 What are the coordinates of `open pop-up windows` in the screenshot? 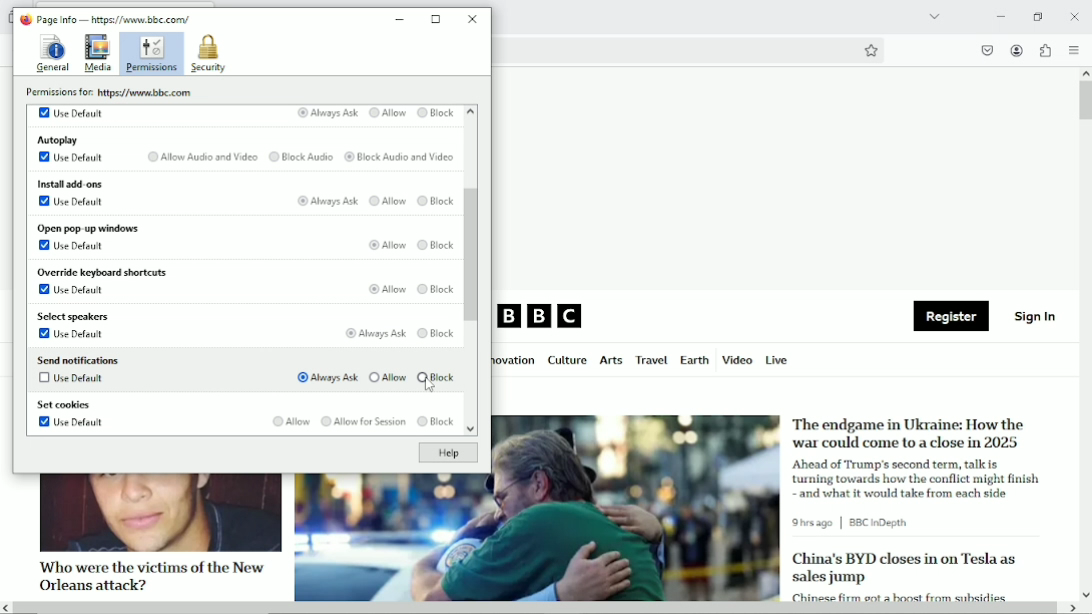 It's located at (87, 228).